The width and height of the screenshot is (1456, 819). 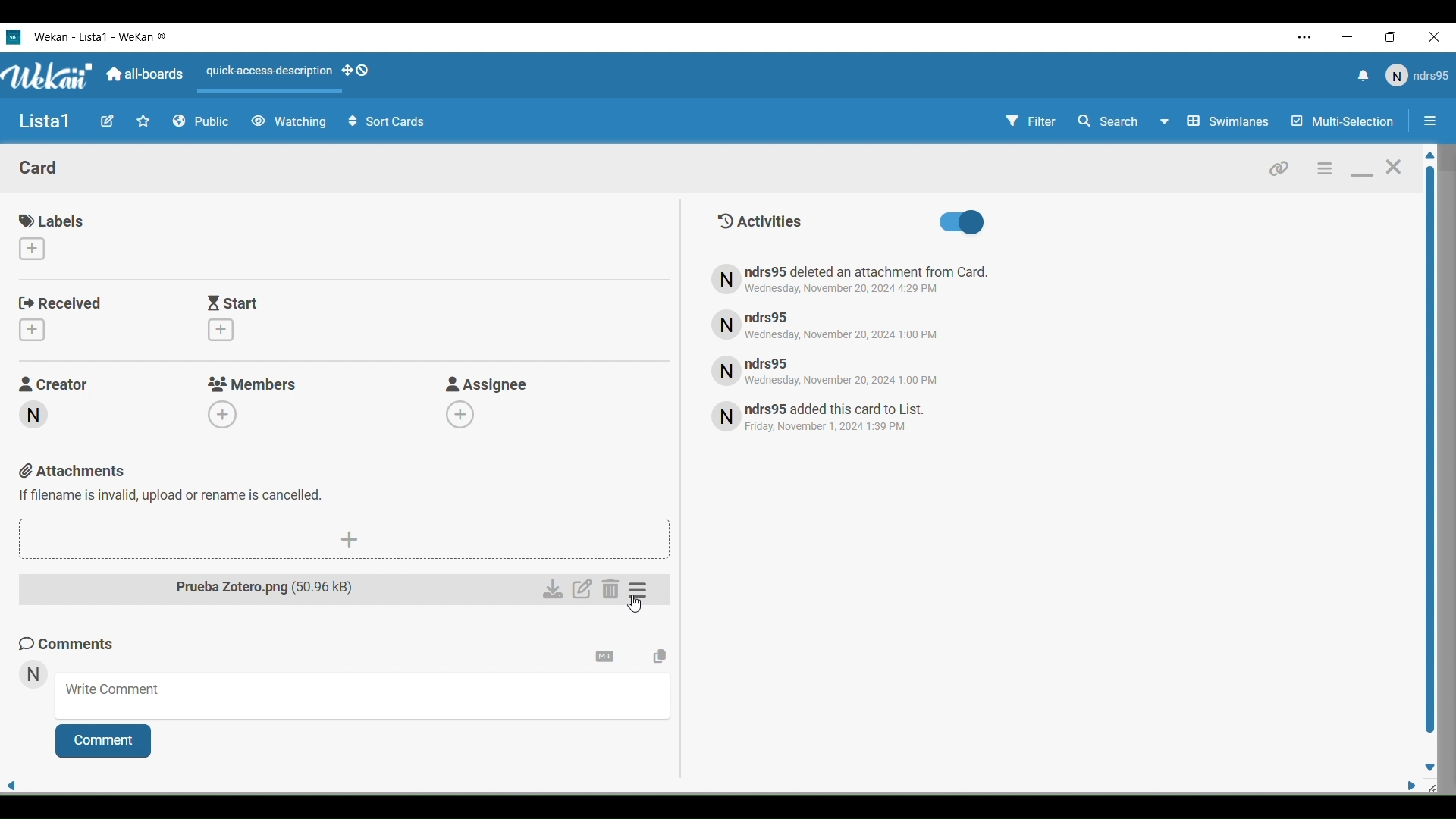 I want to click on Edit, so click(x=583, y=590).